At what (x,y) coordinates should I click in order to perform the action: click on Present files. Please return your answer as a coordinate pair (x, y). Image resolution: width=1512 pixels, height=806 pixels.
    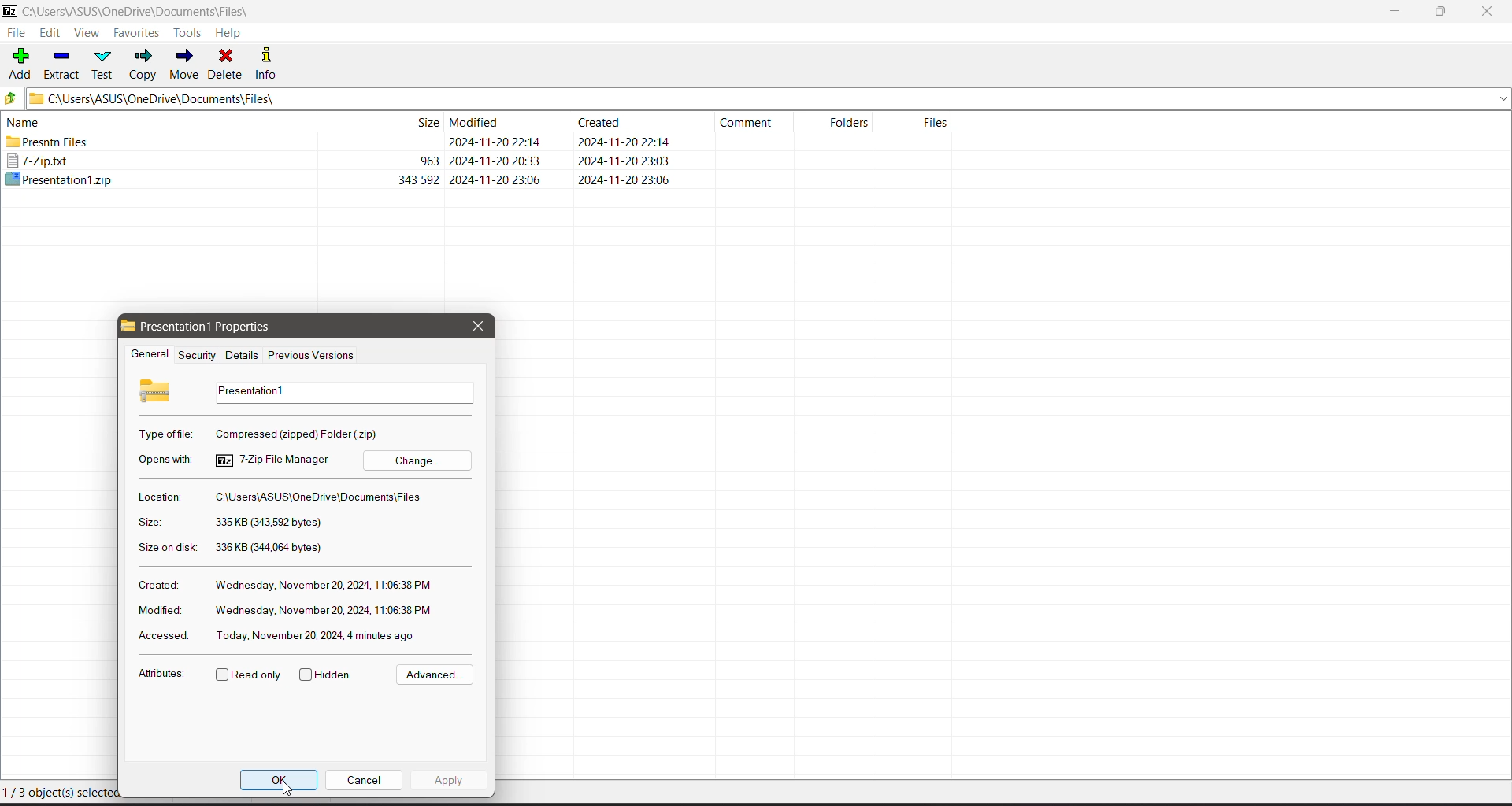
    Looking at the image, I should click on (343, 143).